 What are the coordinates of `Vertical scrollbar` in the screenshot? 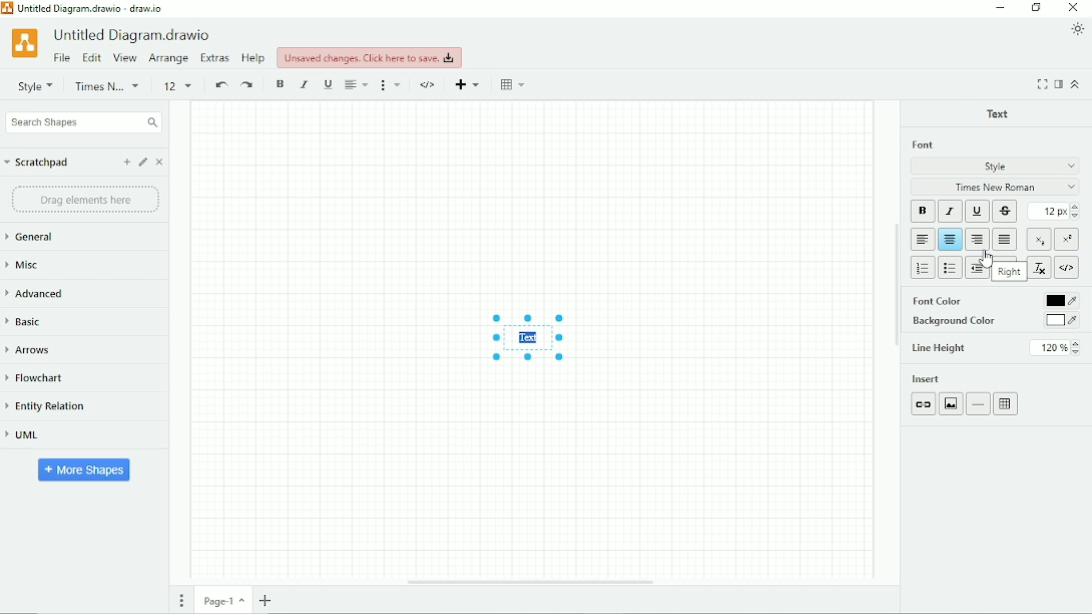 It's located at (896, 284).